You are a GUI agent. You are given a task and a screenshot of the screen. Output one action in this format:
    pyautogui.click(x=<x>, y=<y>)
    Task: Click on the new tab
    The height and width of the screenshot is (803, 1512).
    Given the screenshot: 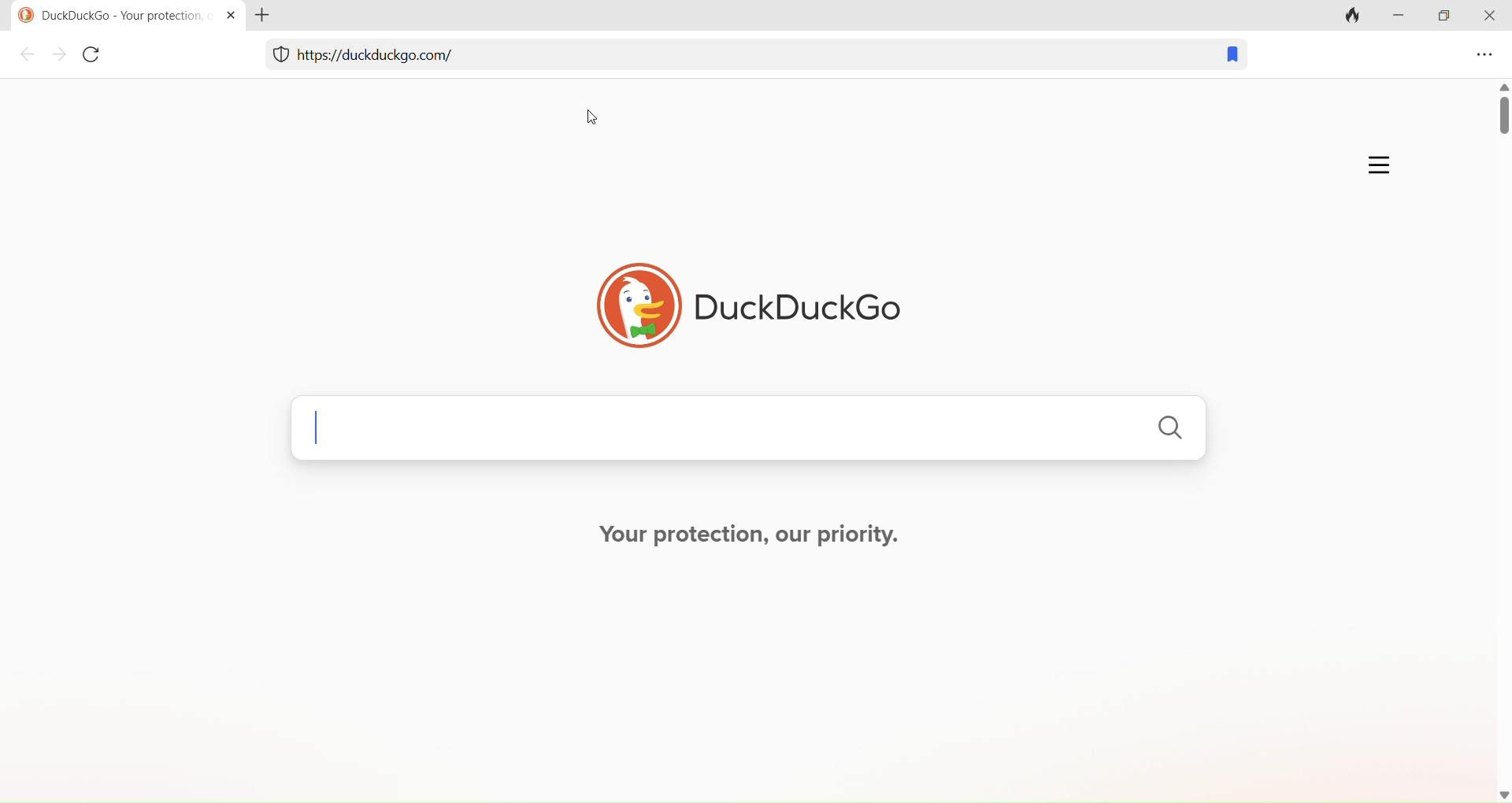 What is the action you would take?
    pyautogui.click(x=271, y=16)
    